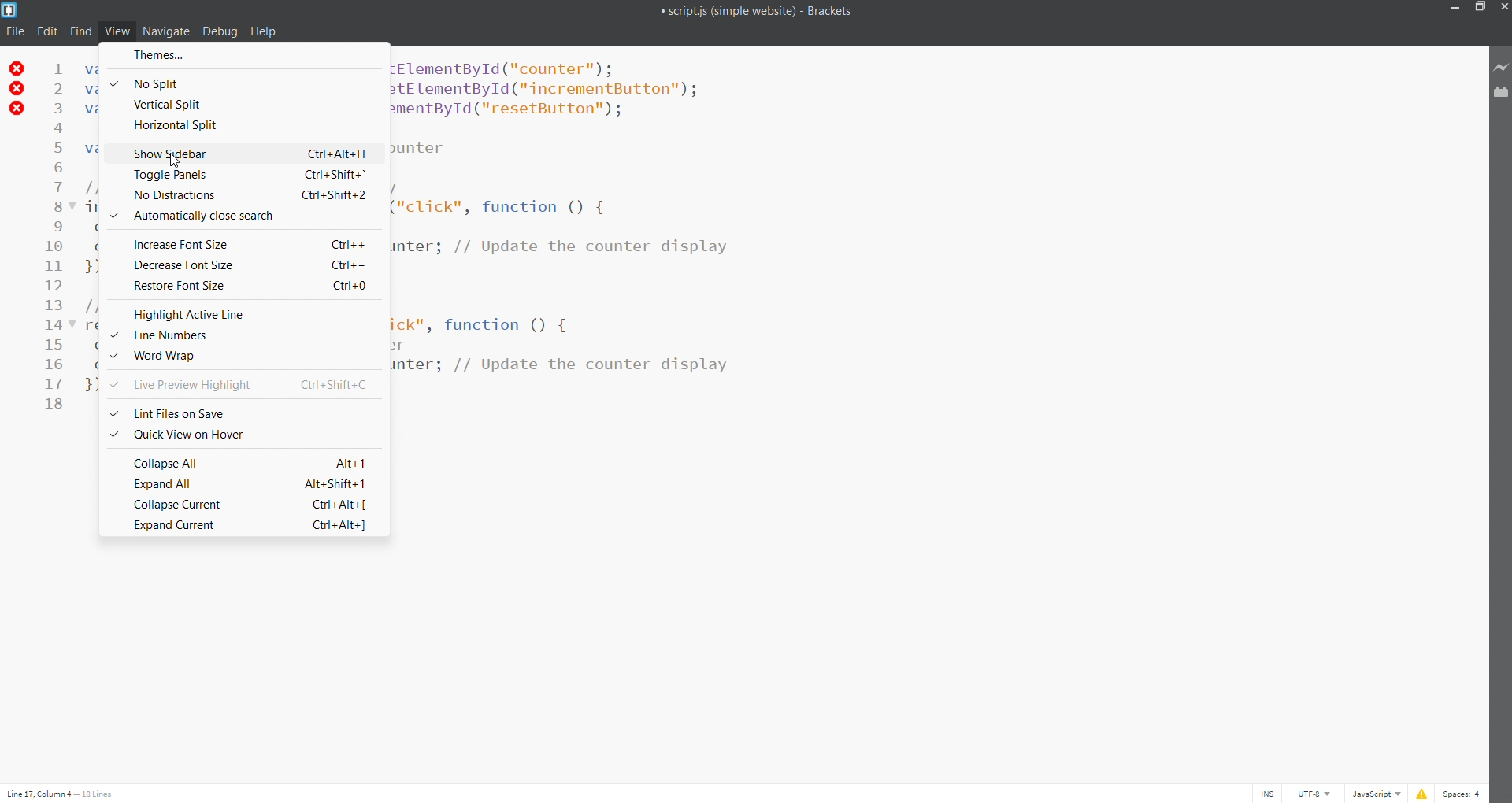 This screenshot has height=803, width=1512. What do you see at coordinates (1501, 96) in the screenshot?
I see `extension manager` at bounding box center [1501, 96].